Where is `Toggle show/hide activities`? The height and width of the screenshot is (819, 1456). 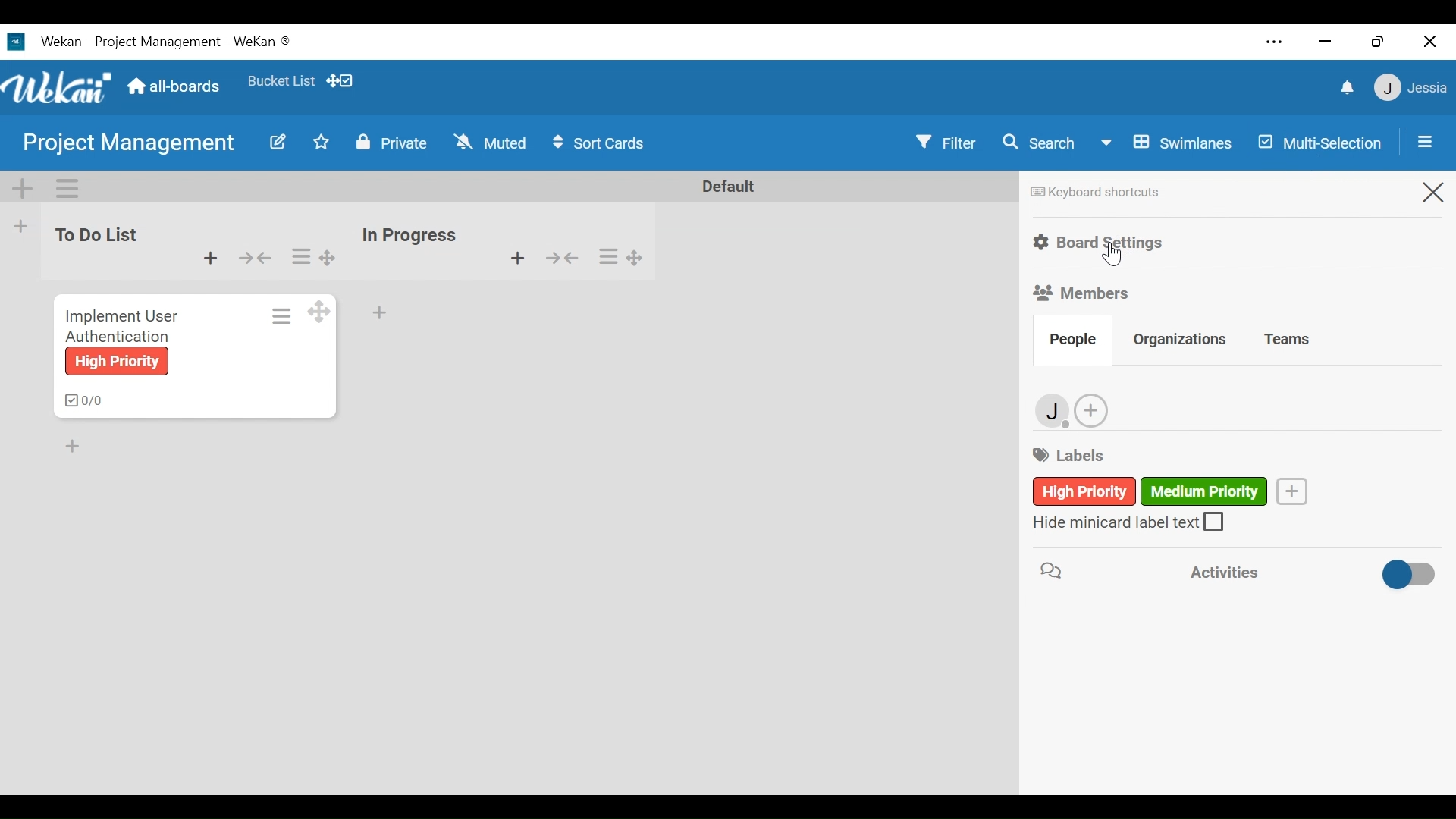
Toggle show/hide activities is located at coordinates (1390, 572).